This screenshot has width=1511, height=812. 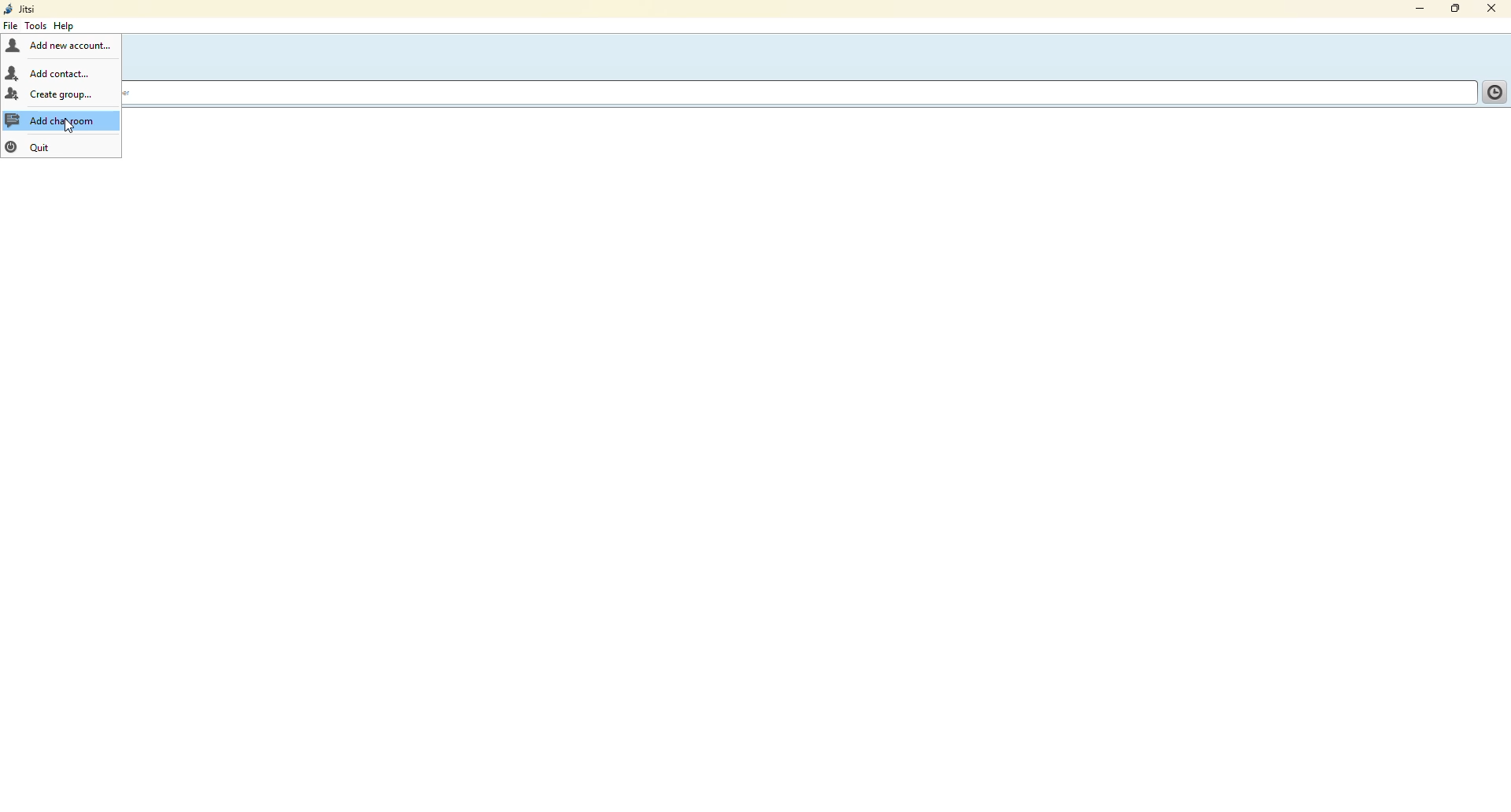 I want to click on close, so click(x=1494, y=8).